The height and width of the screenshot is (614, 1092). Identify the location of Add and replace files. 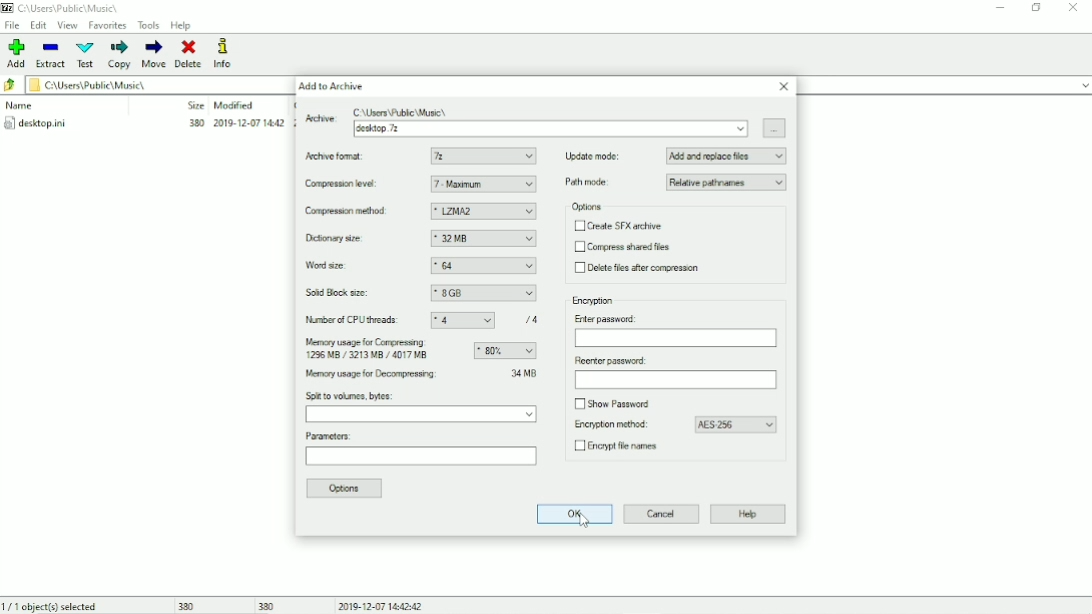
(727, 156).